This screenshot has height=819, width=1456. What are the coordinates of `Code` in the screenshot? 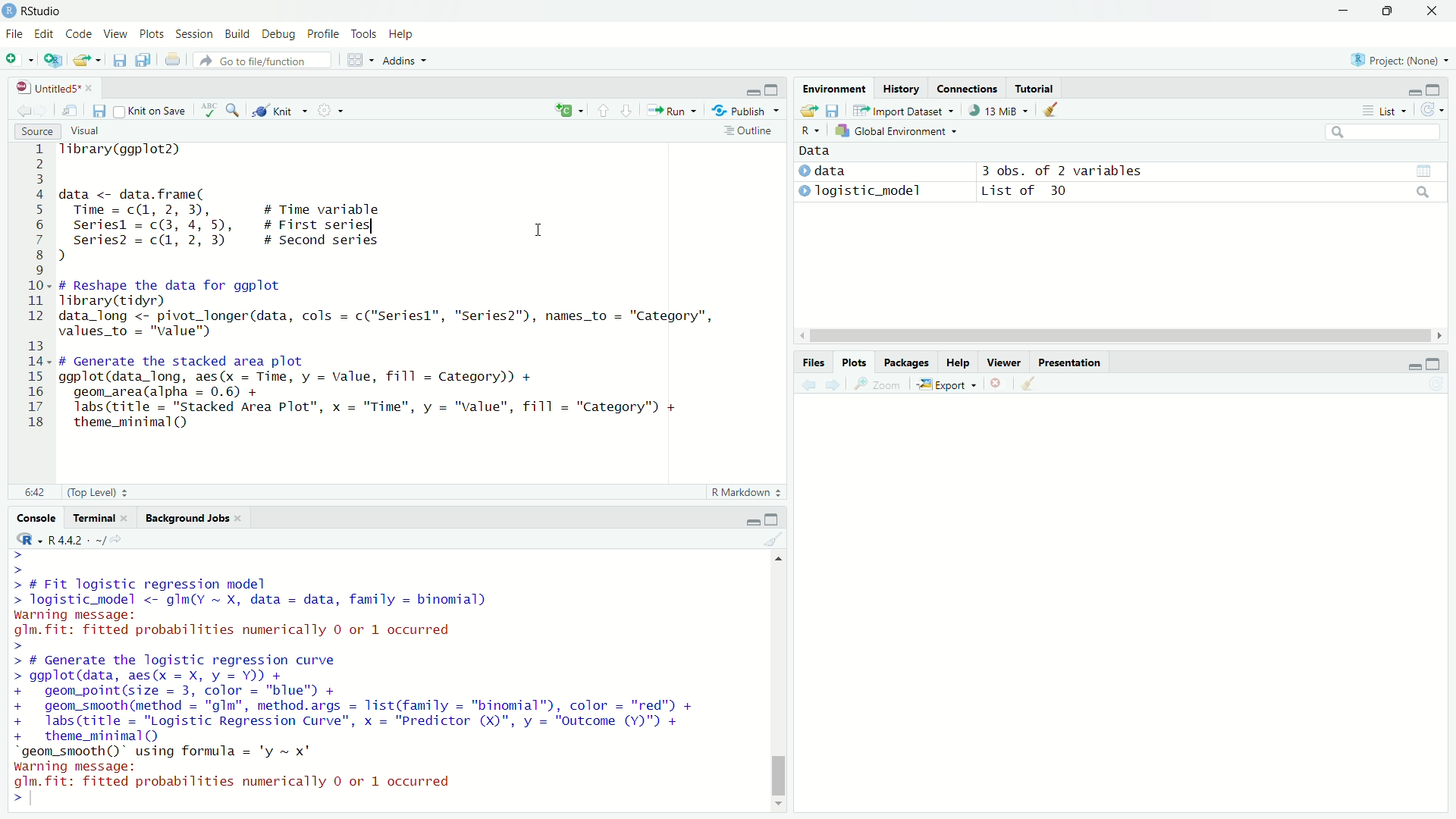 It's located at (77, 33).